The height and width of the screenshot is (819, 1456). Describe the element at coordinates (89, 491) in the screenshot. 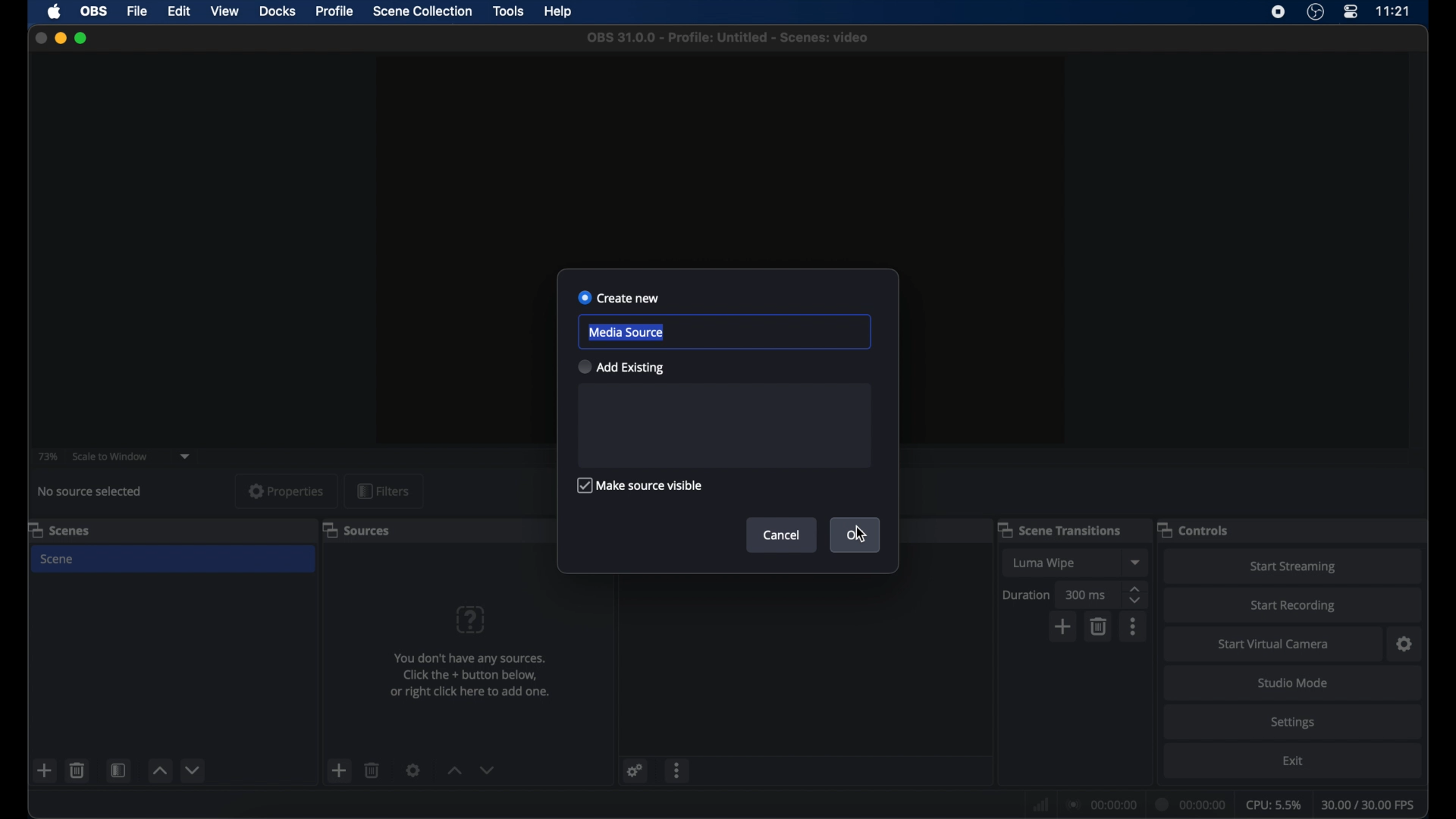

I see `no source selected` at that location.